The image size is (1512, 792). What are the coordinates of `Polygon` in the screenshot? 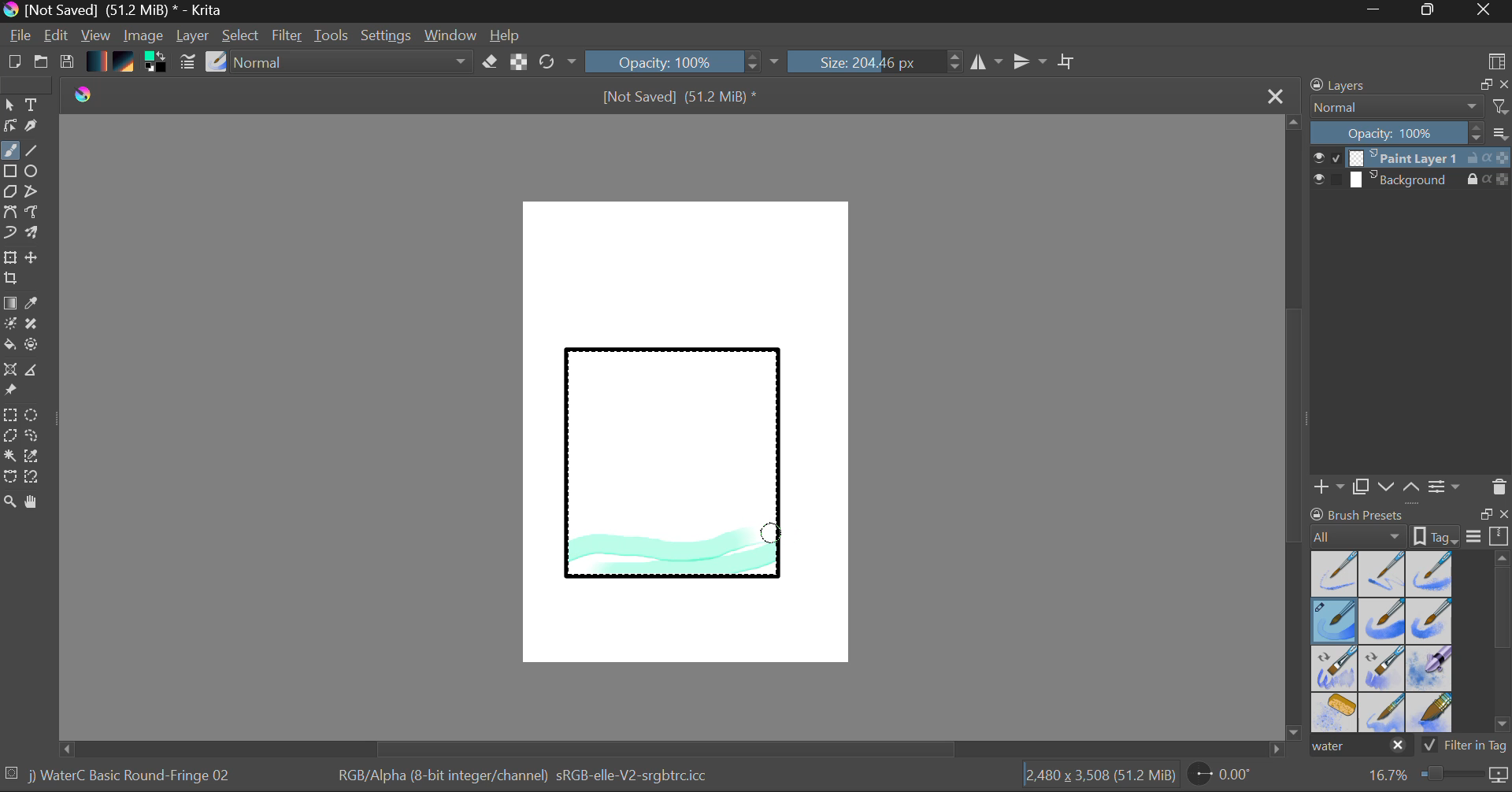 It's located at (9, 192).